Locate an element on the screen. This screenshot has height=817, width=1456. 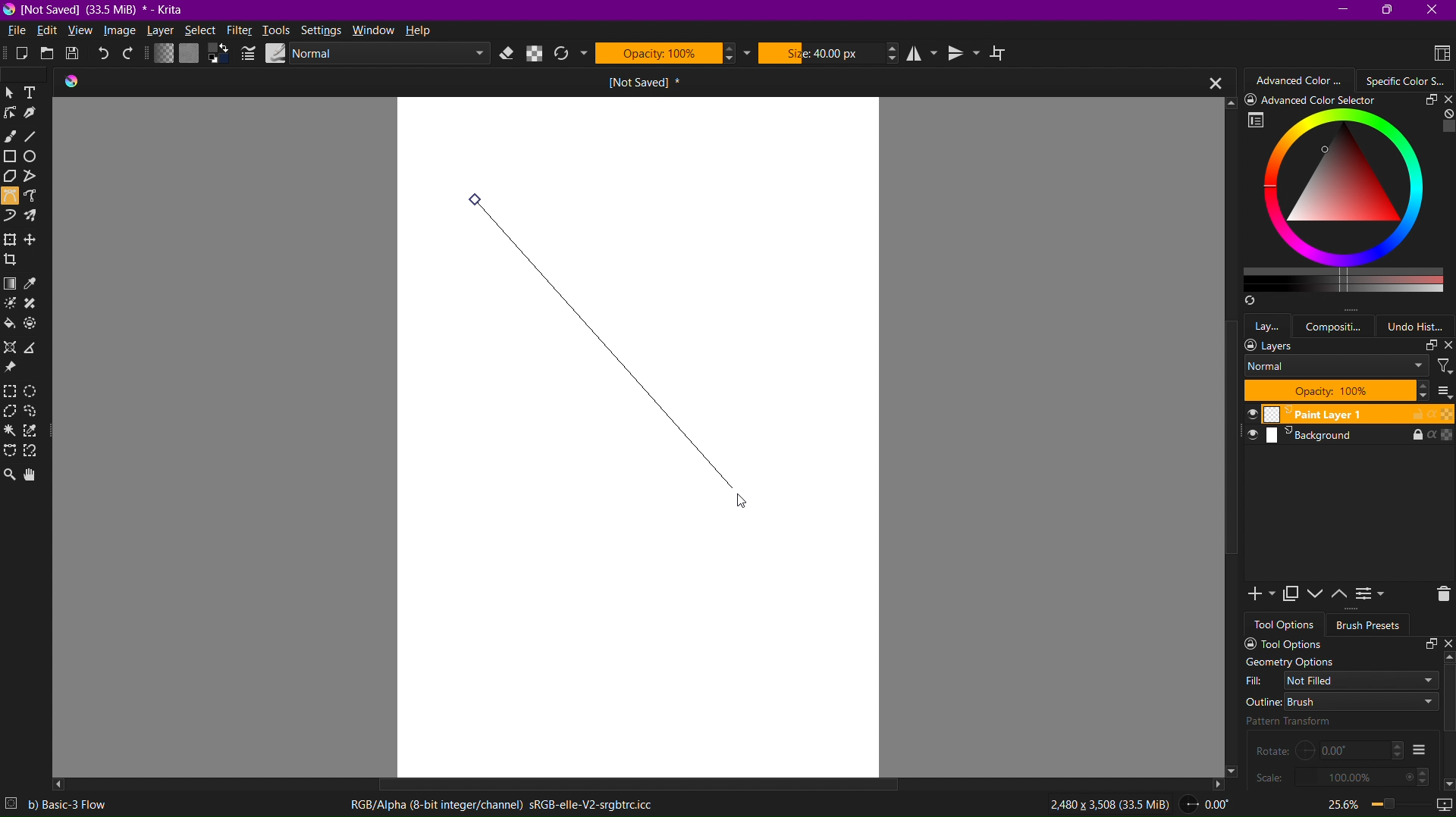
Duplicate Layer or Mask is located at coordinates (1293, 595).